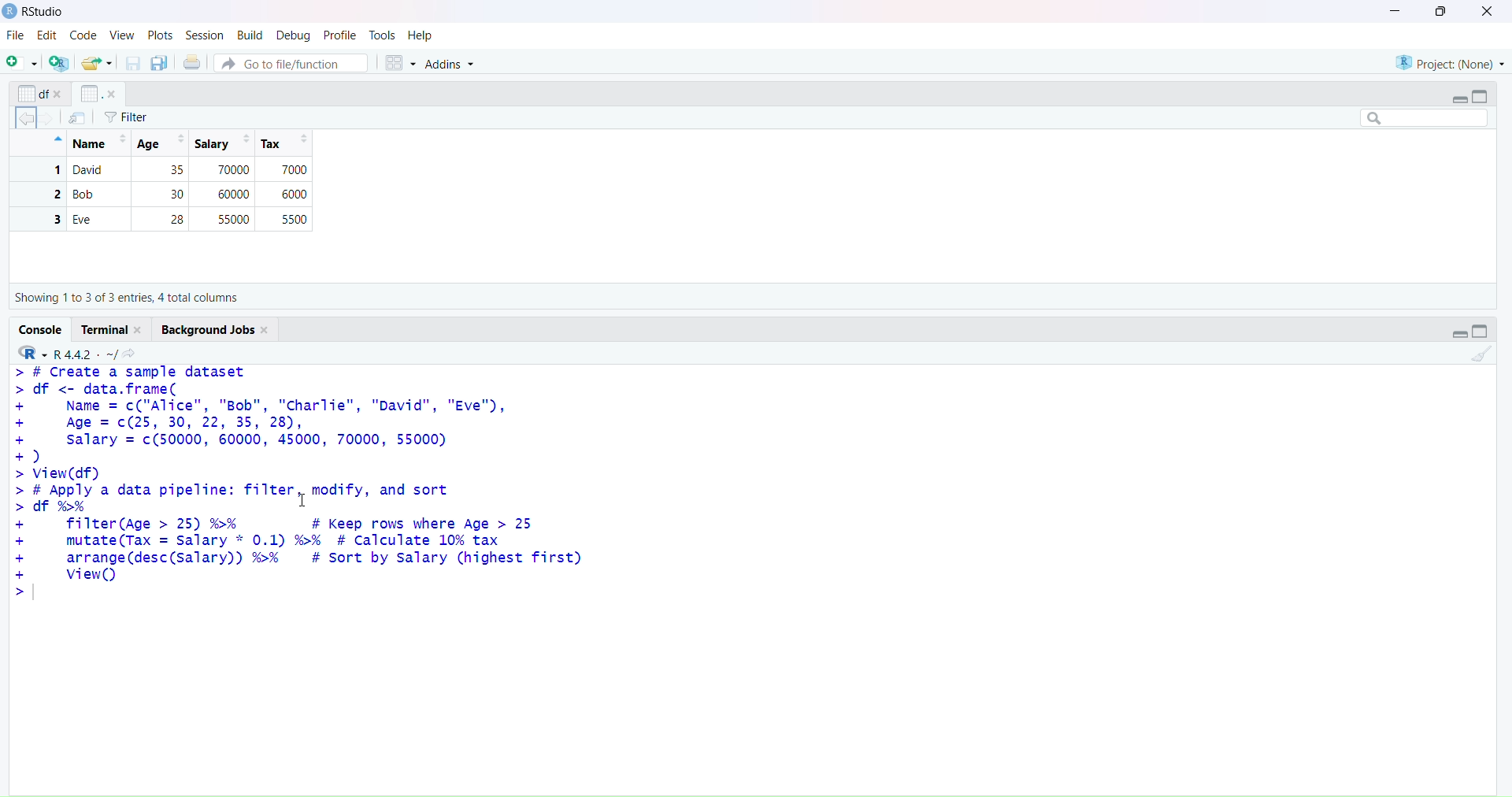 Image resolution: width=1512 pixels, height=797 pixels. What do you see at coordinates (1483, 354) in the screenshot?
I see `clear console` at bounding box center [1483, 354].